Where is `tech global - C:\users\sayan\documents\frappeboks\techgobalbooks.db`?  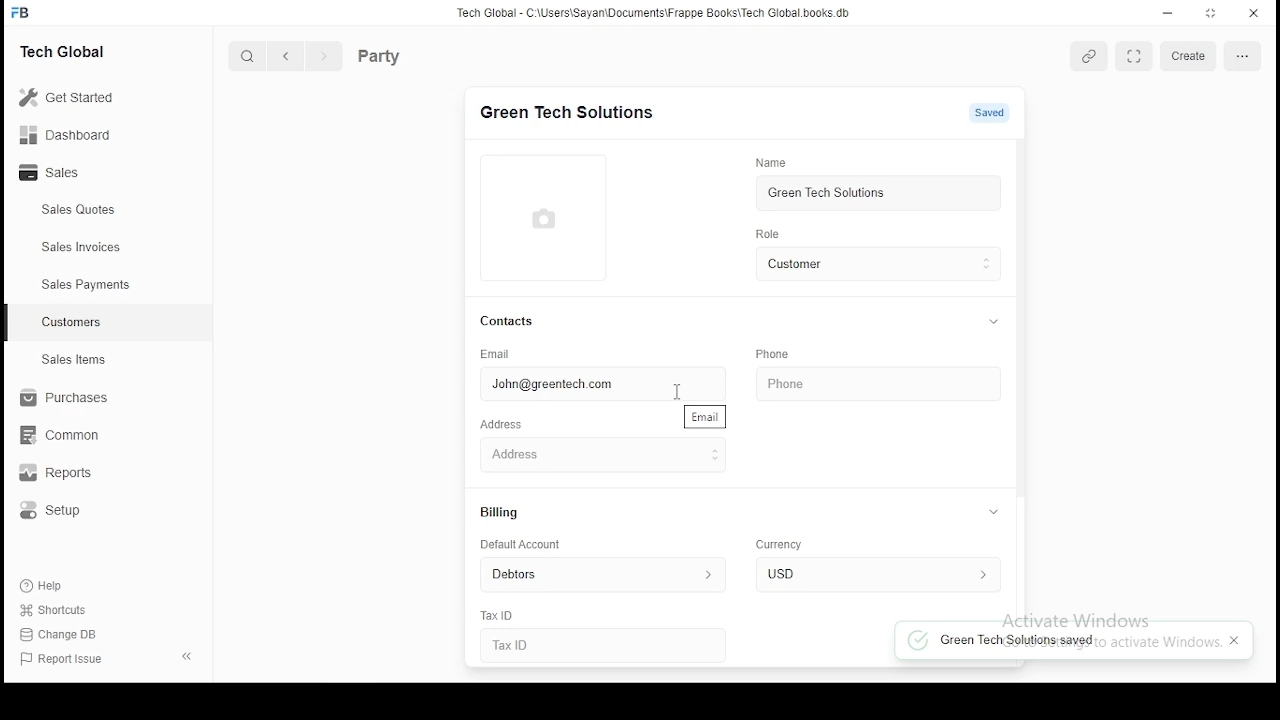
tech global - C:\users\sayan\documents\frappeboks\techgobalbooks.db is located at coordinates (655, 13).